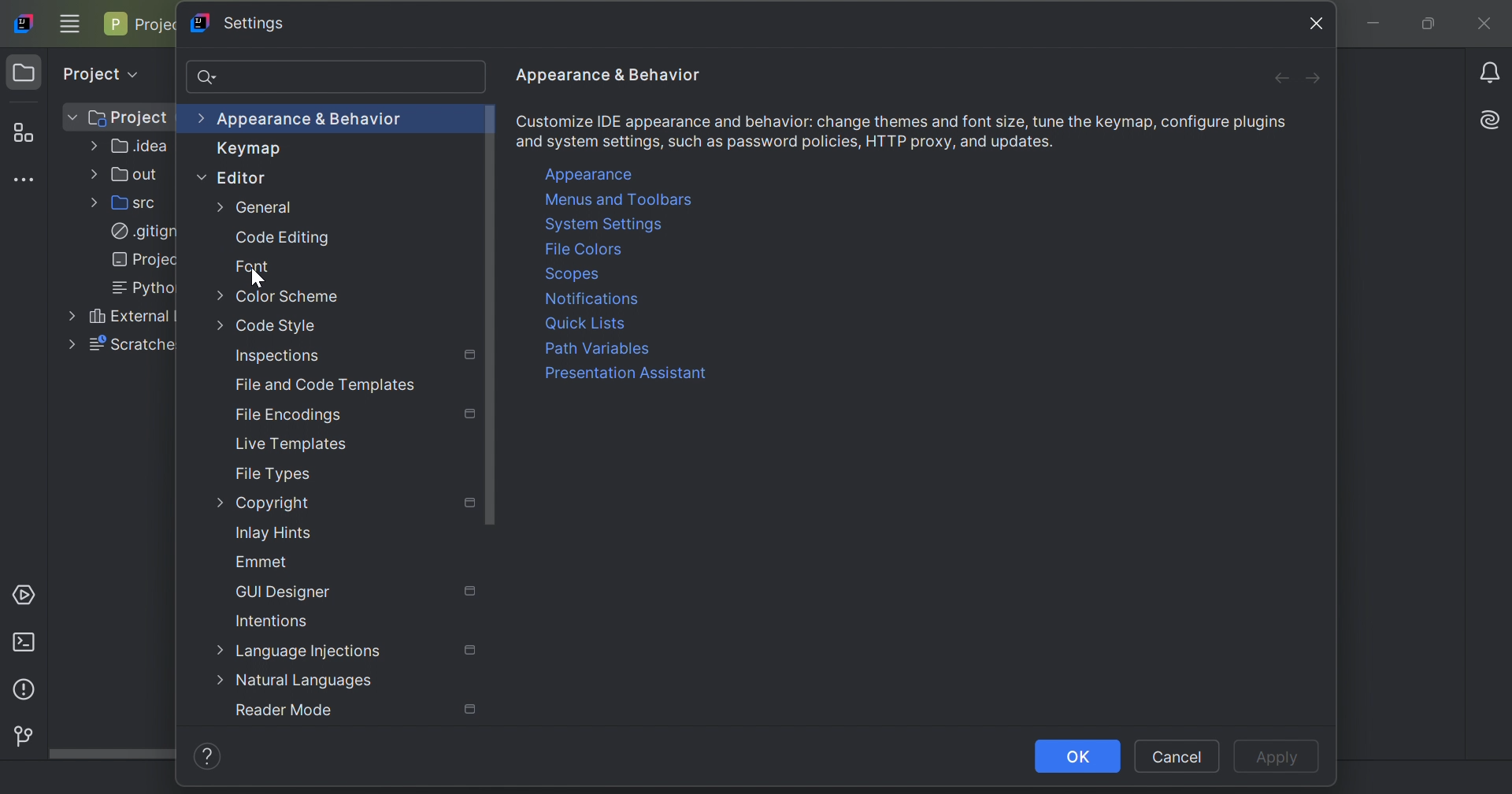 This screenshot has height=794, width=1512. What do you see at coordinates (587, 247) in the screenshot?
I see `File Colours` at bounding box center [587, 247].